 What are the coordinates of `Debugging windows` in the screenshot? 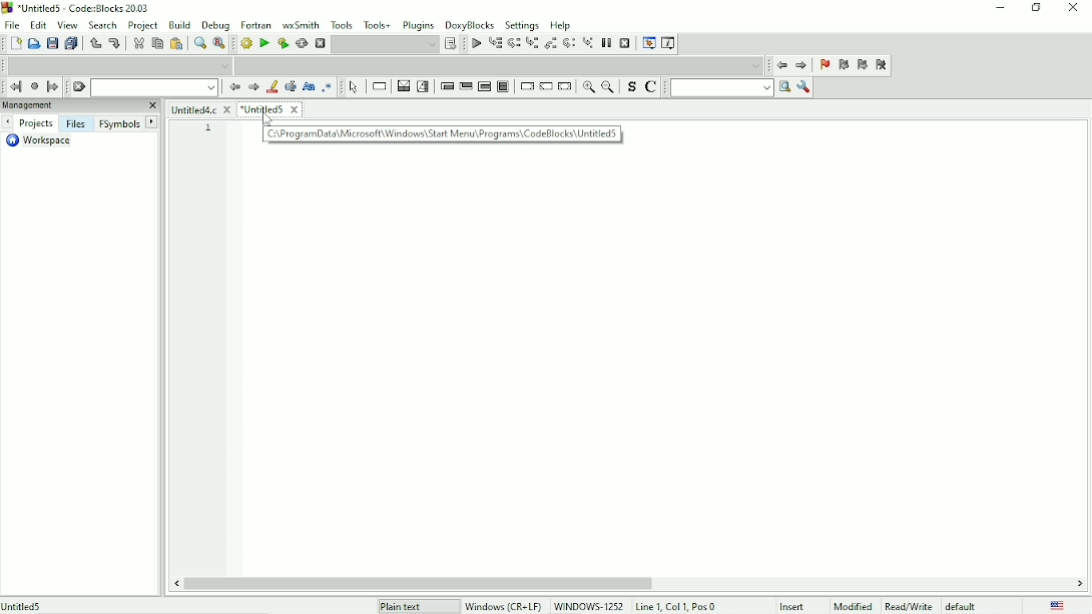 It's located at (648, 44).